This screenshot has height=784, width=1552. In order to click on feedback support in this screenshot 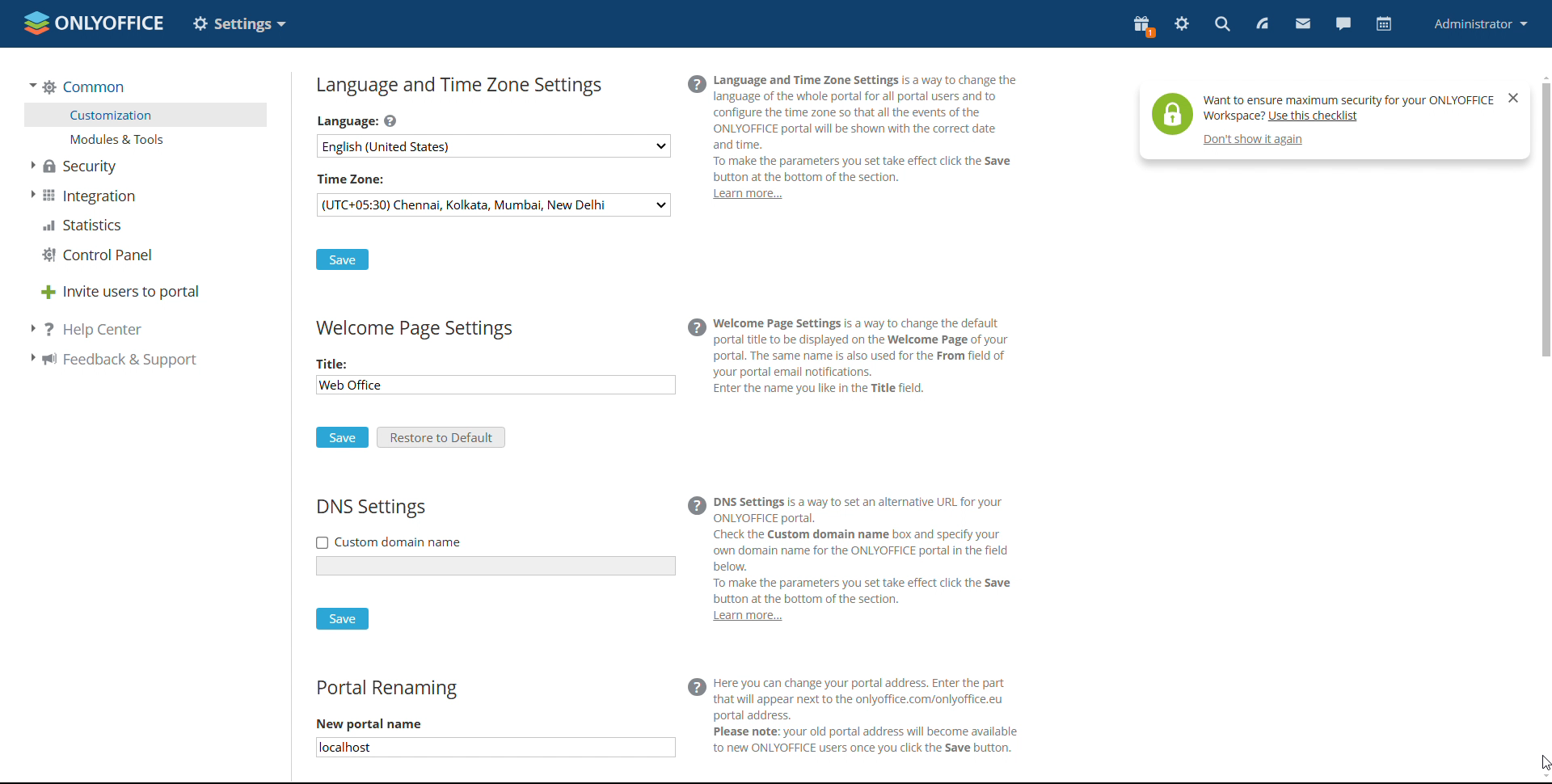, I will do `click(110, 360)`.